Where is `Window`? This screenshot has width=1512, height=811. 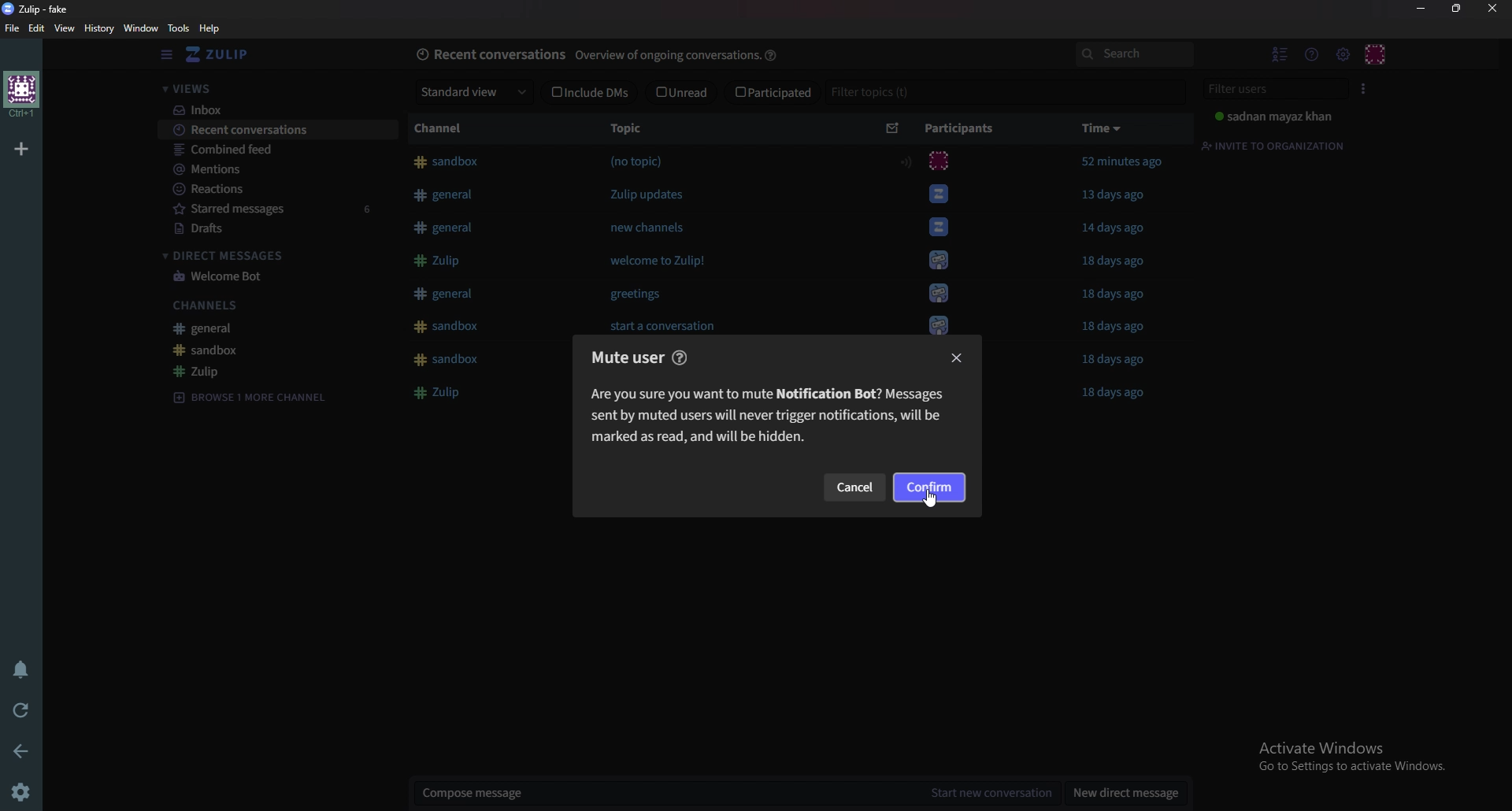 Window is located at coordinates (143, 28).